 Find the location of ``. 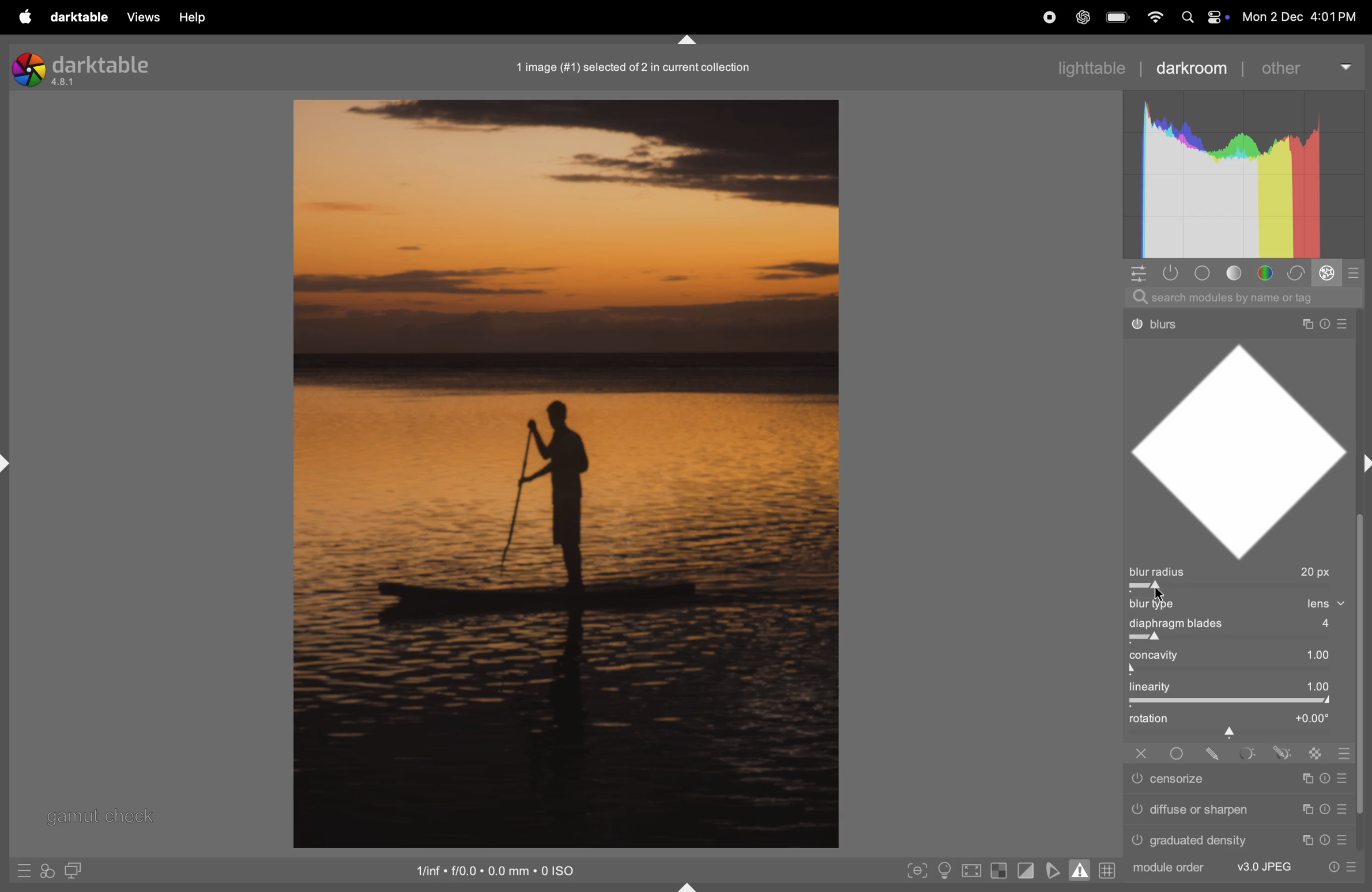

 is located at coordinates (1177, 753).